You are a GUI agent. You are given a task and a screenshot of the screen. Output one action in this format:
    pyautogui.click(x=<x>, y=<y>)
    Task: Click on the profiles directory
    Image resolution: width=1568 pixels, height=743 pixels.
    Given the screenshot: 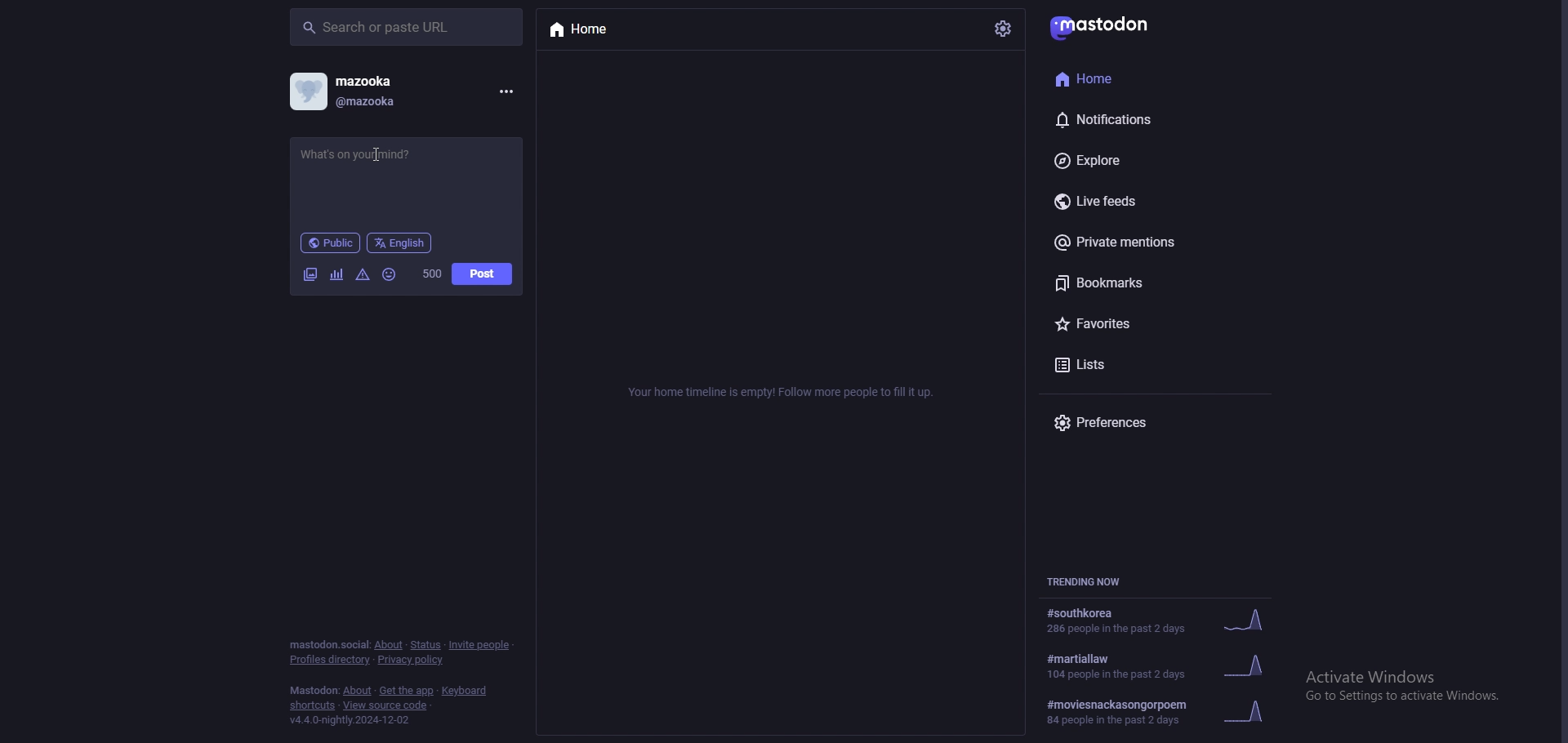 What is the action you would take?
    pyautogui.click(x=330, y=660)
    